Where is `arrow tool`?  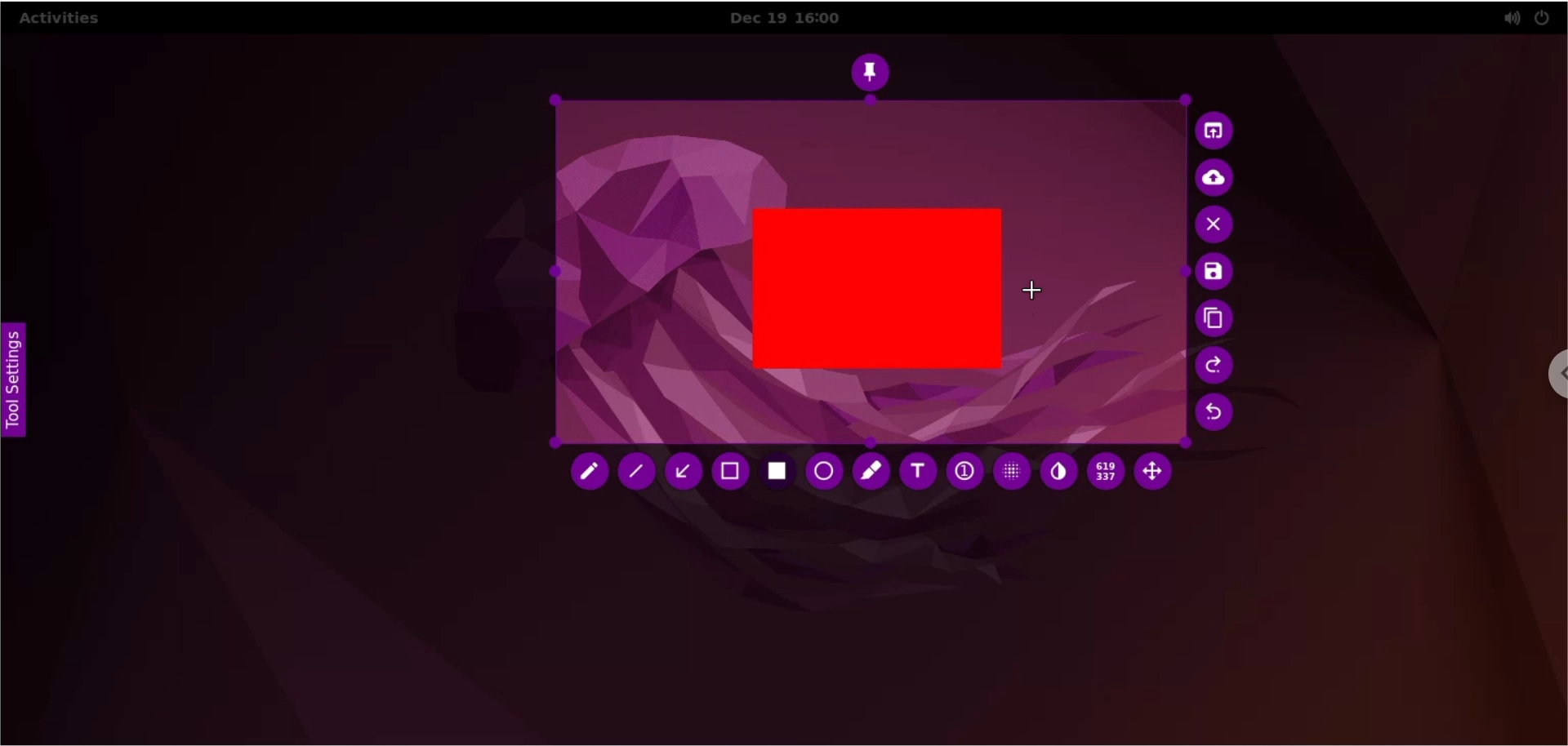 arrow tool is located at coordinates (684, 473).